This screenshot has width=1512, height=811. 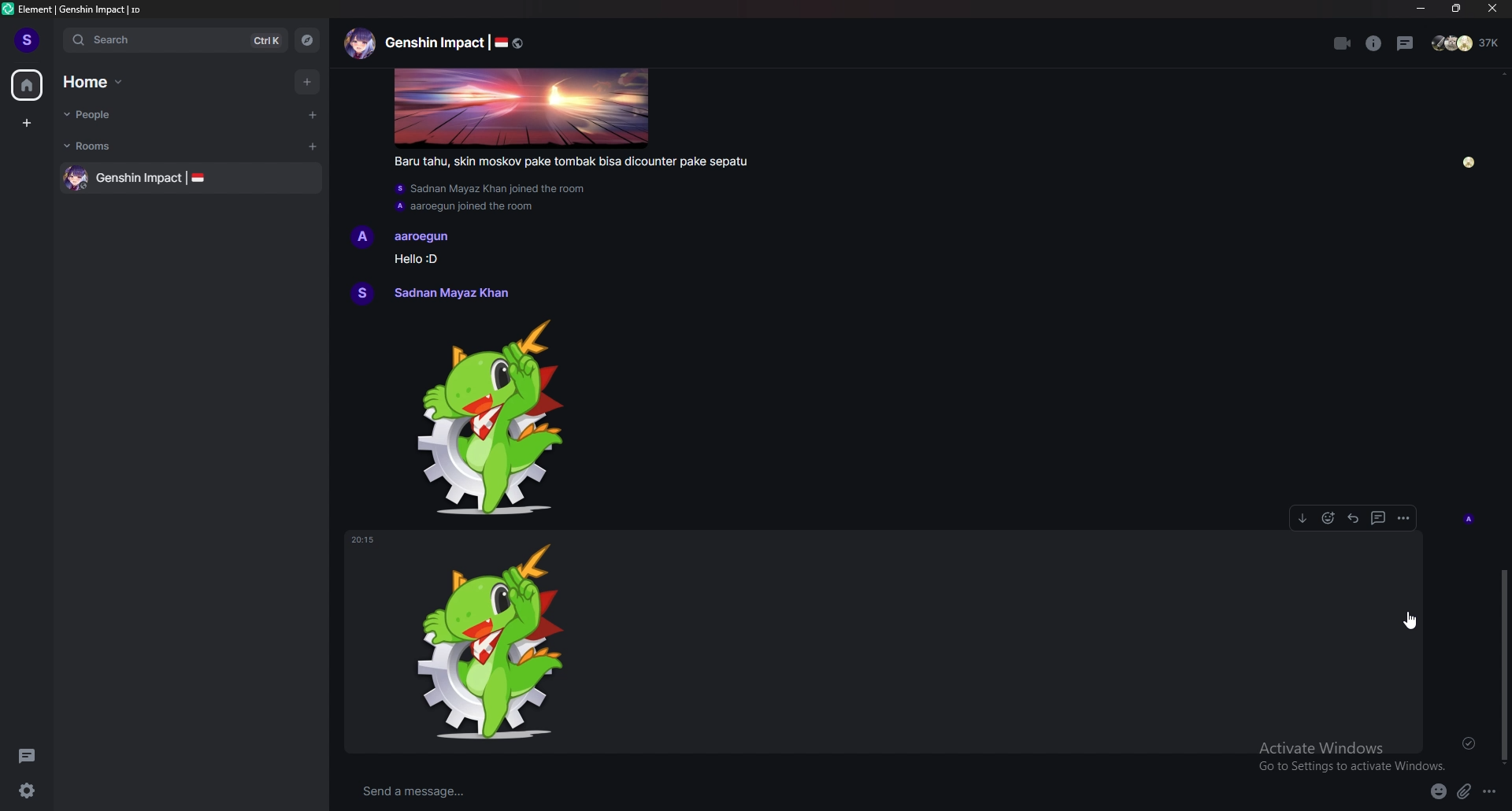 What do you see at coordinates (1353, 519) in the screenshot?
I see `reply` at bounding box center [1353, 519].